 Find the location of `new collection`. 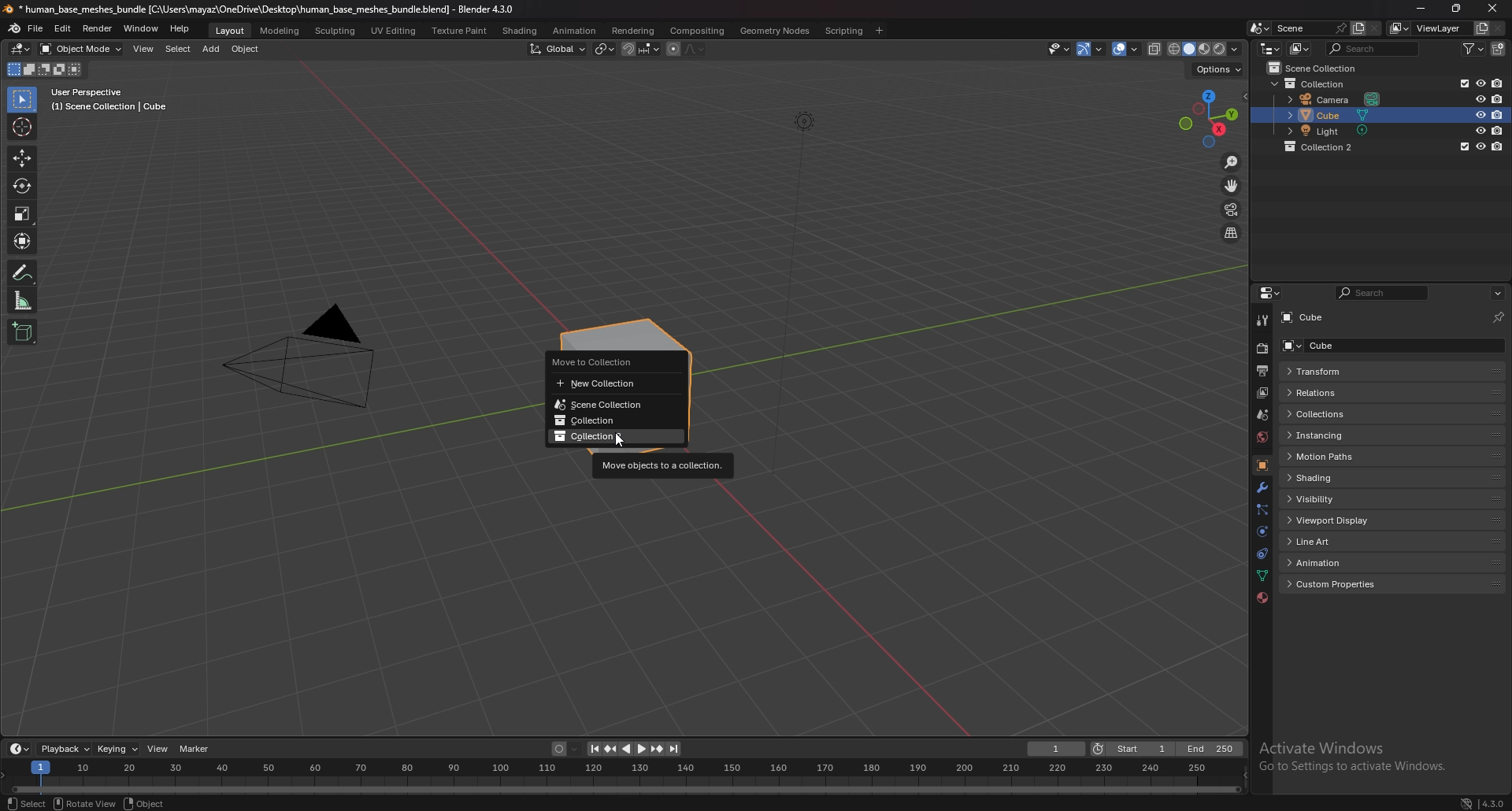

new collection is located at coordinates (1500, 48).